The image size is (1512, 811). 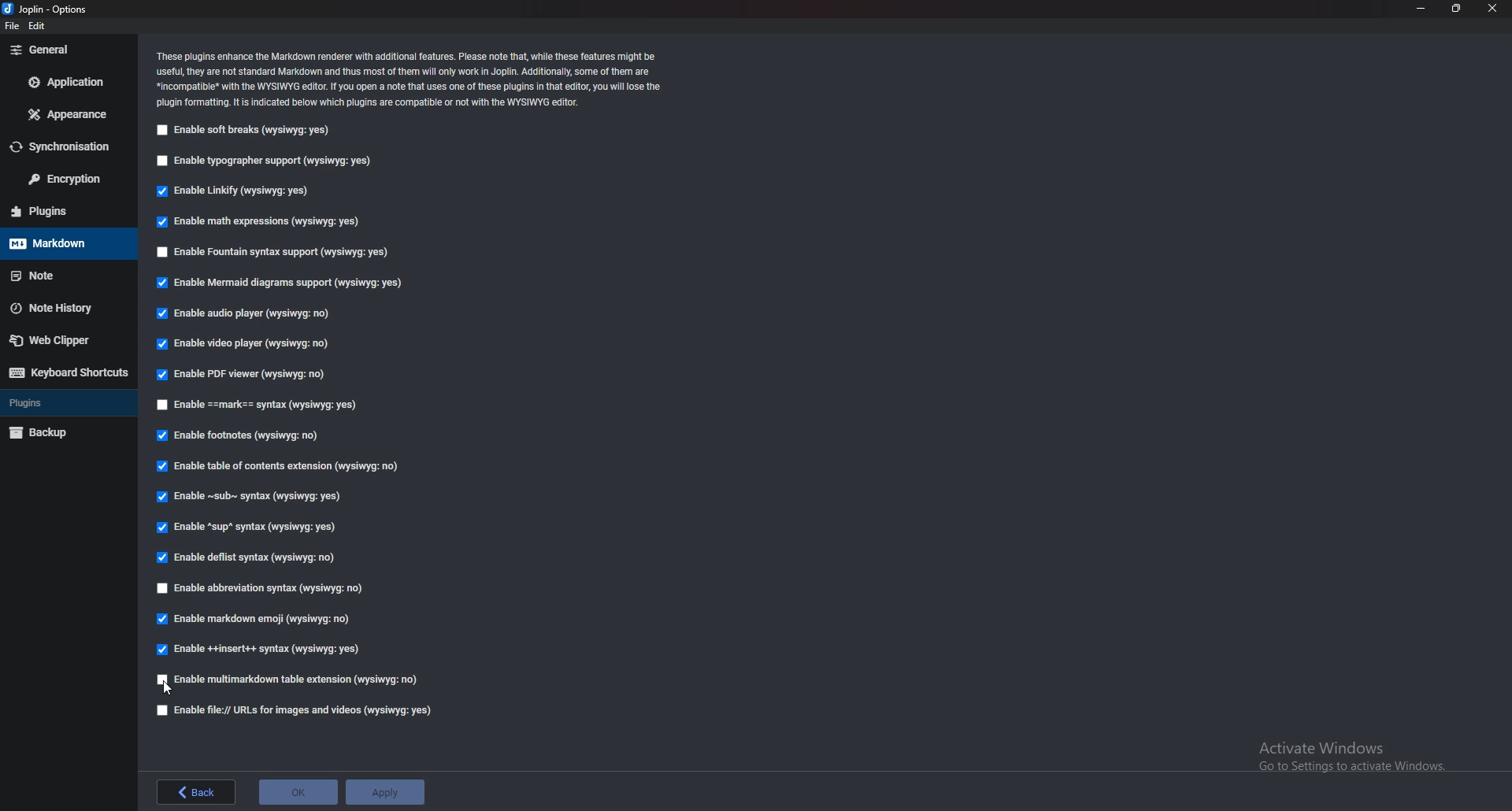 I want to click on enable file urls for images and videos, so click(x=295, y=711).